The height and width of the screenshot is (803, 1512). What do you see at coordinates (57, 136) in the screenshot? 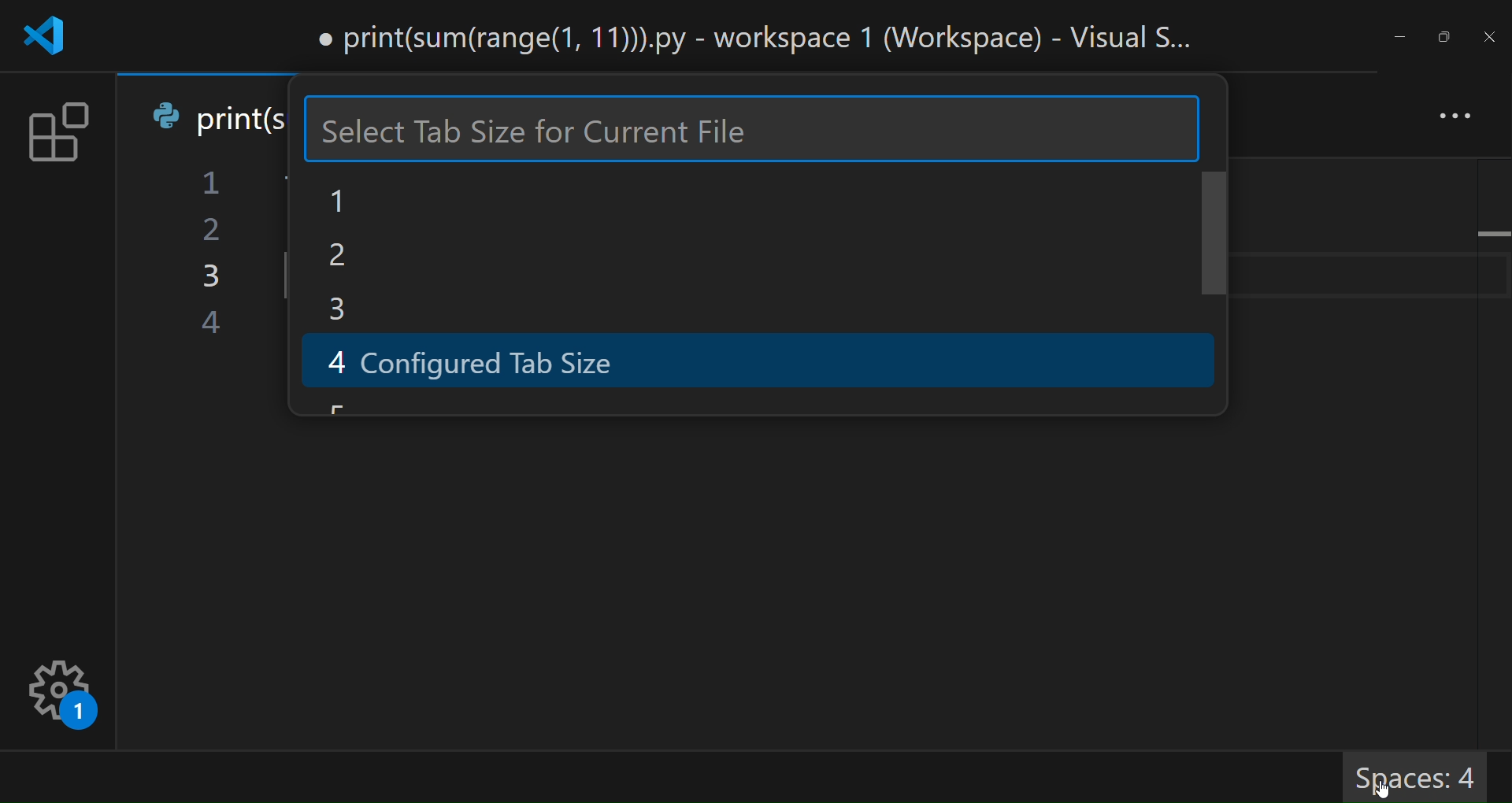
I see `extension` at bounding box center [57, 136].